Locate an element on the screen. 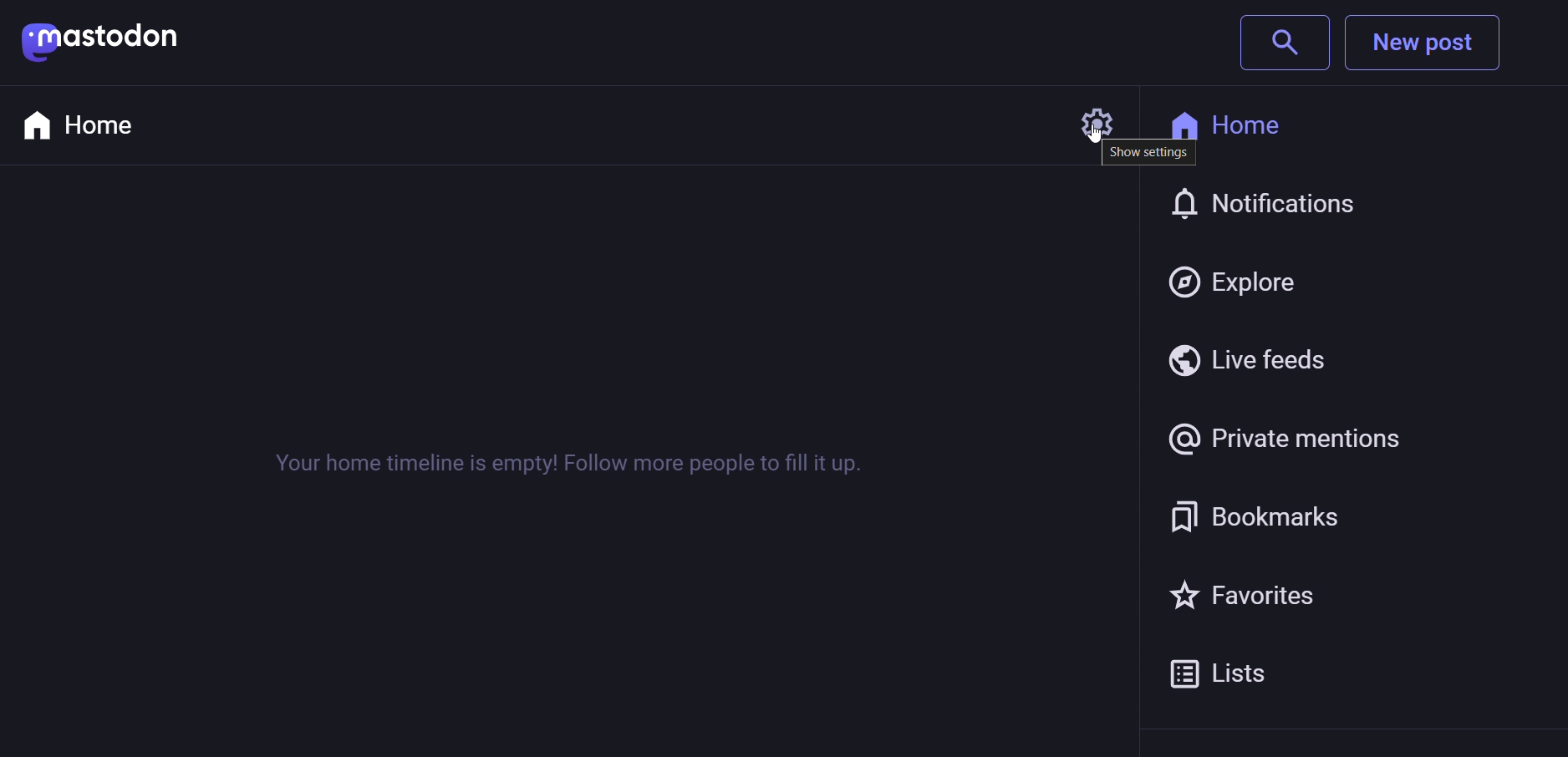 Image resolution: width=1568 pixels, height=757 pixels. bookmark is located at coordinates (1263, 514).